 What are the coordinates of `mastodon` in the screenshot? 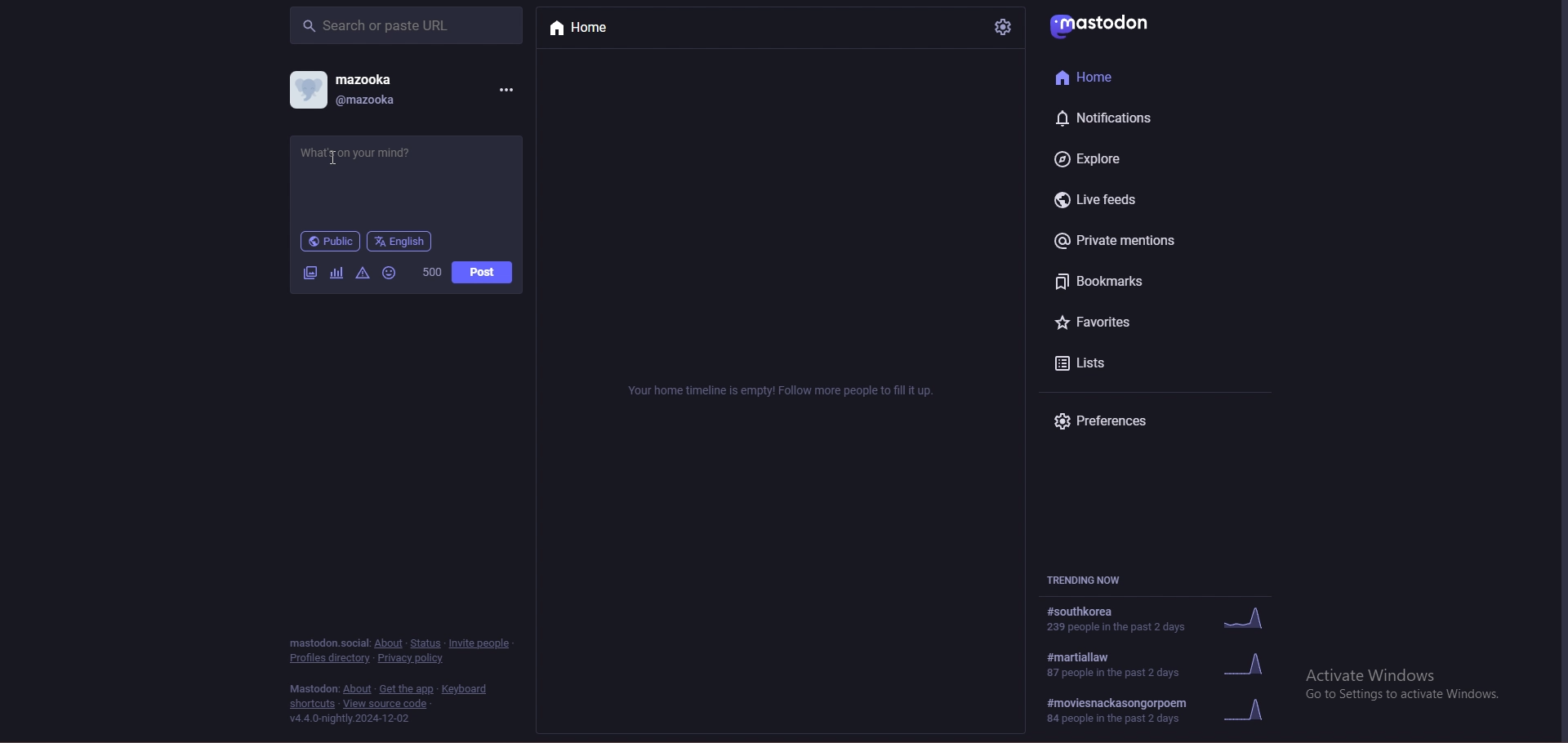 It's located at (314, 689).